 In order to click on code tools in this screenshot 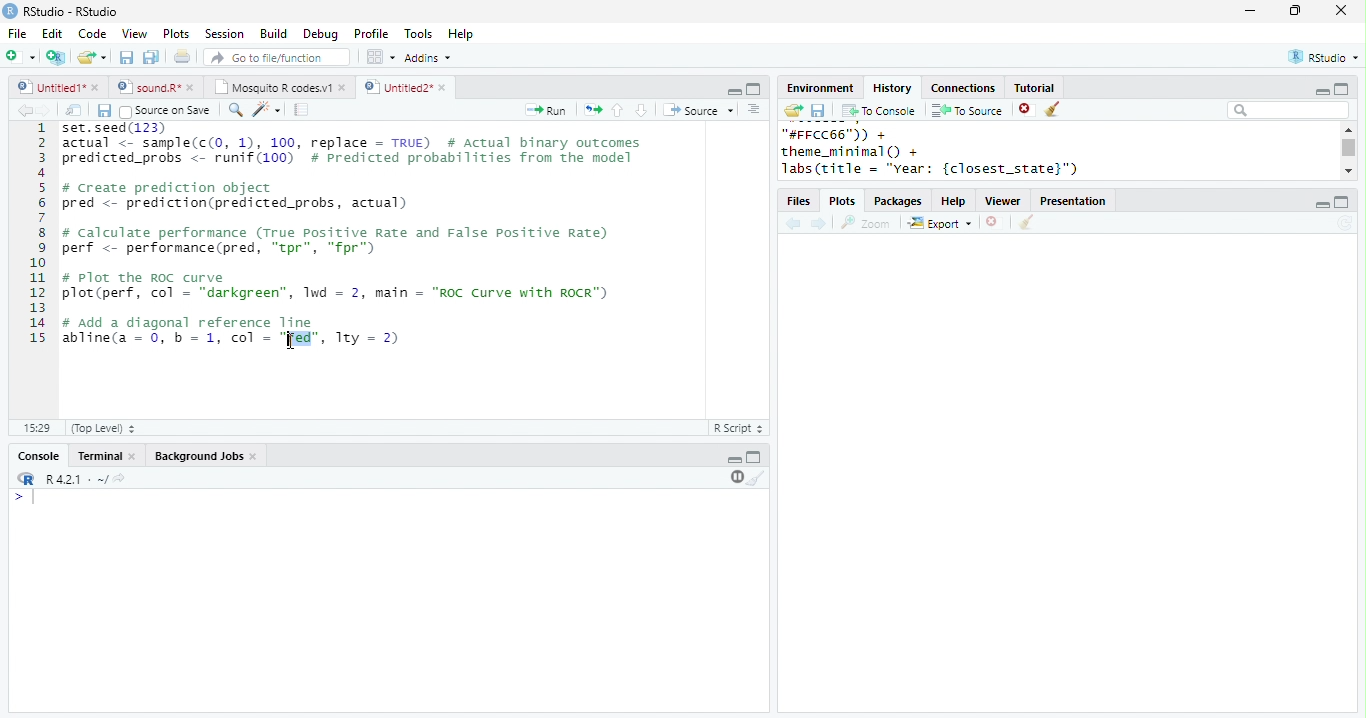, I will do `click(267, 109)`.